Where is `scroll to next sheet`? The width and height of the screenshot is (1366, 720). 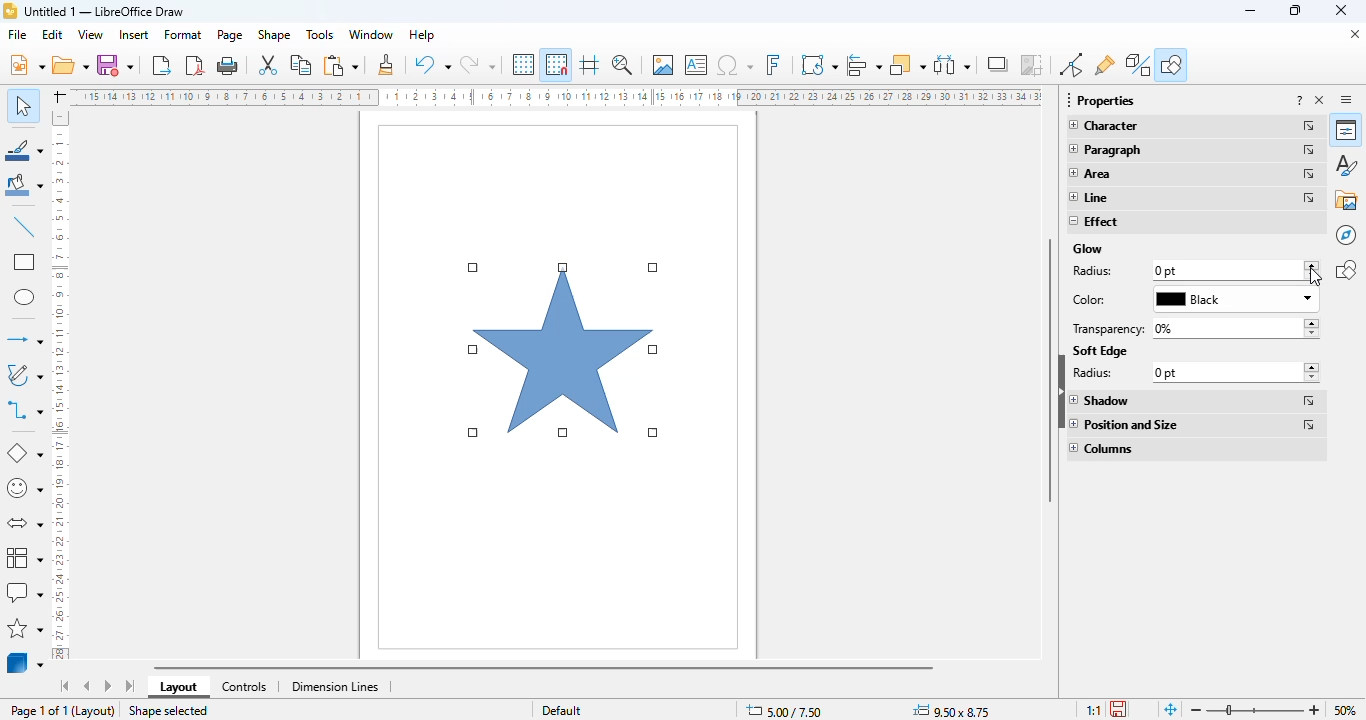
scroll to next sheet is located at coordinates (108, 686).